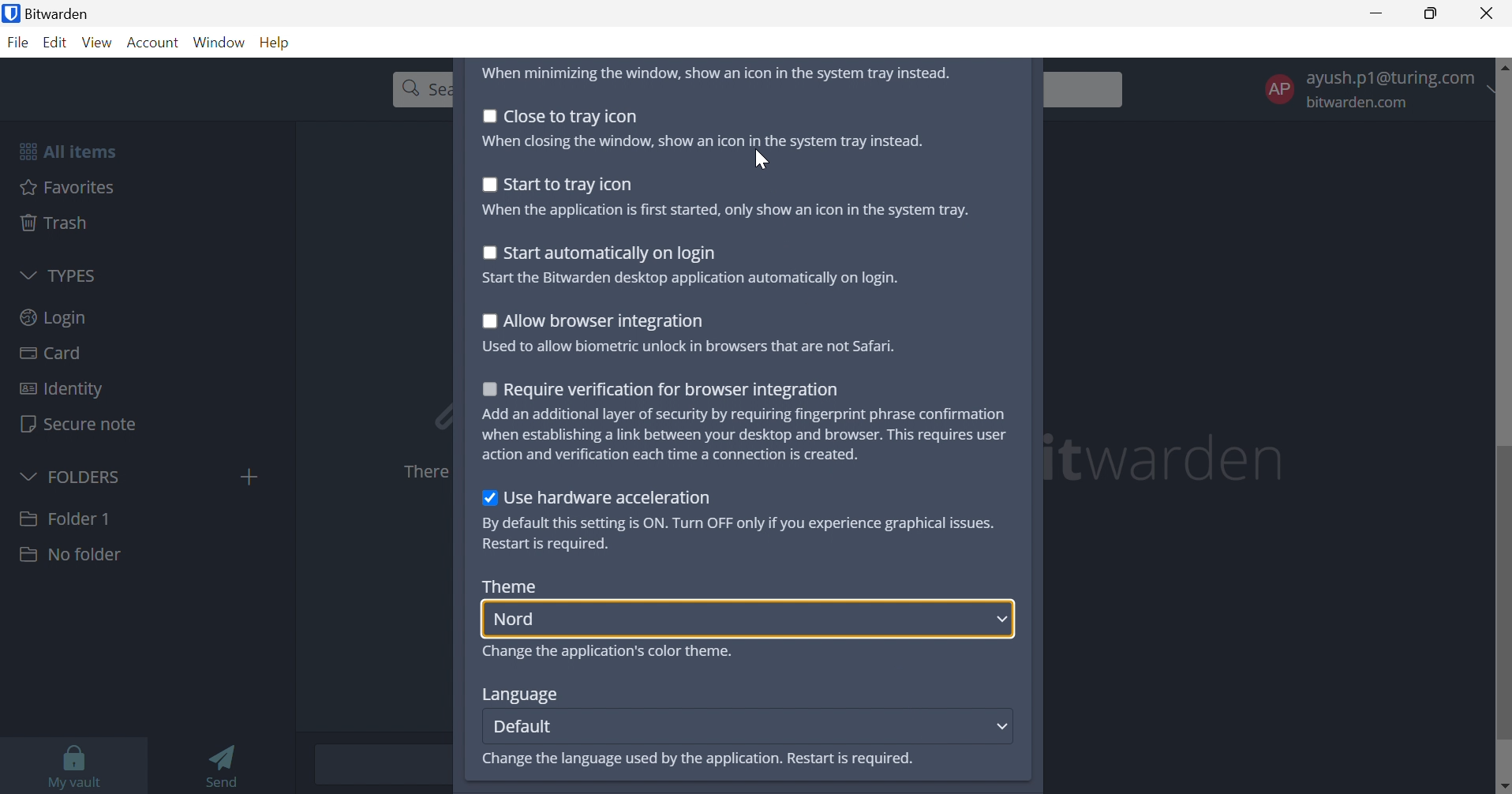  I want to click on All items, so click(66, 151).